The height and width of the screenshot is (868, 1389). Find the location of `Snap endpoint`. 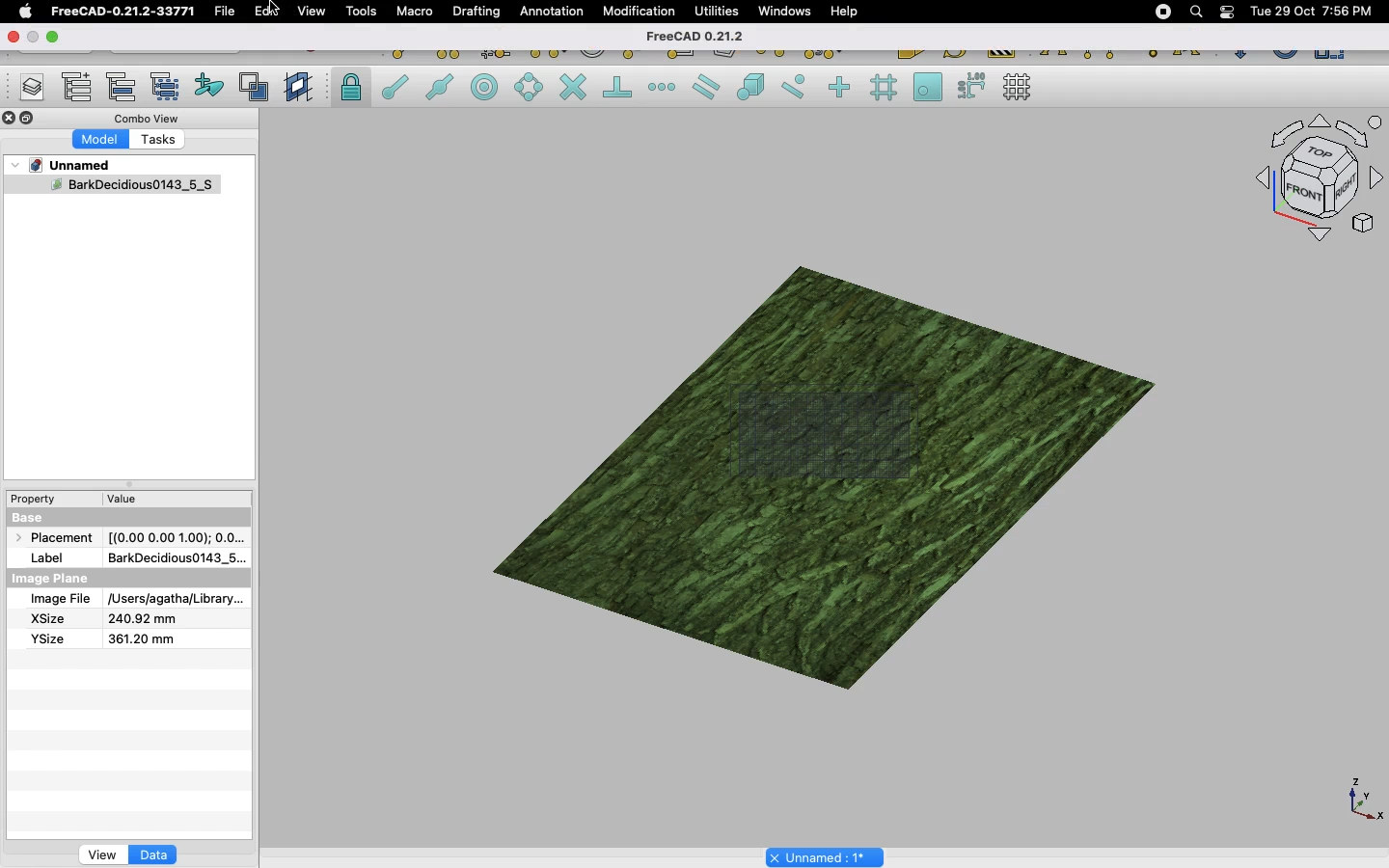

Snap endpoint is located at coordinates (395, 90).